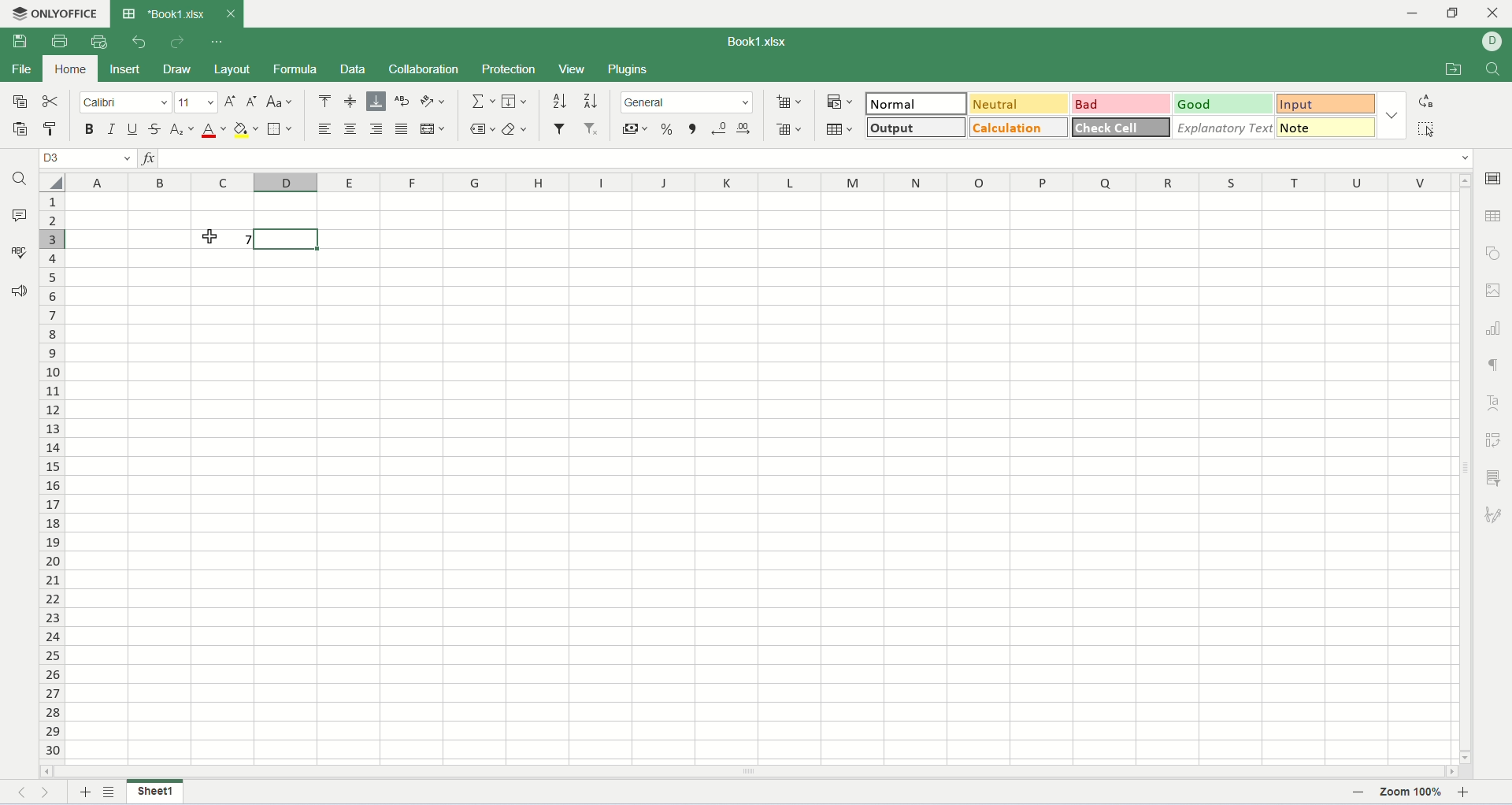 This screenshot has width=1512, height=805. Describe the element at coordinates (1484, 792) in the screenshot. I see `zoom in` at that location.